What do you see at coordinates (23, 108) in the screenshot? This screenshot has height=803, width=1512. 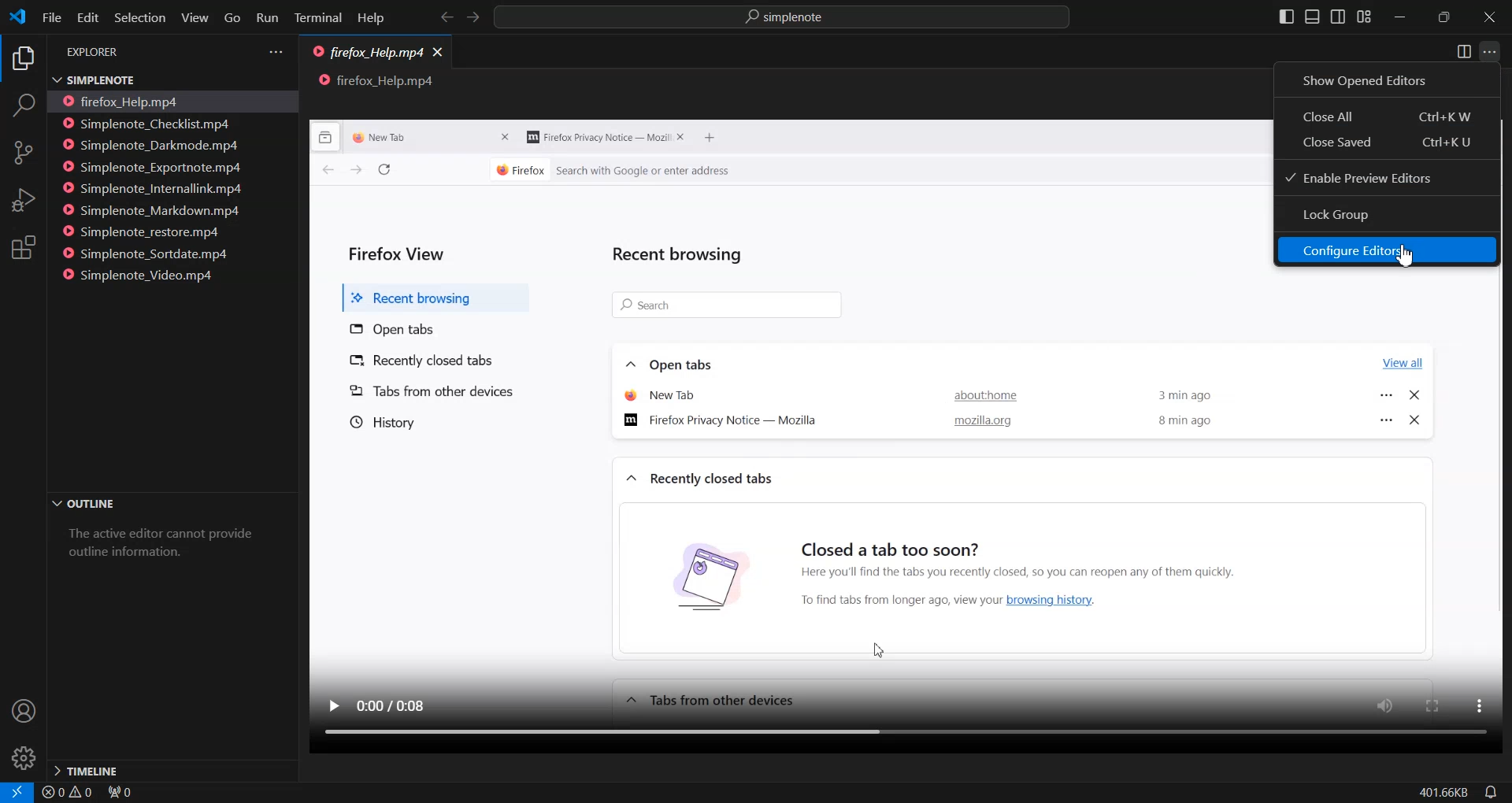 I see `Search` at bounding box center [23, 108].